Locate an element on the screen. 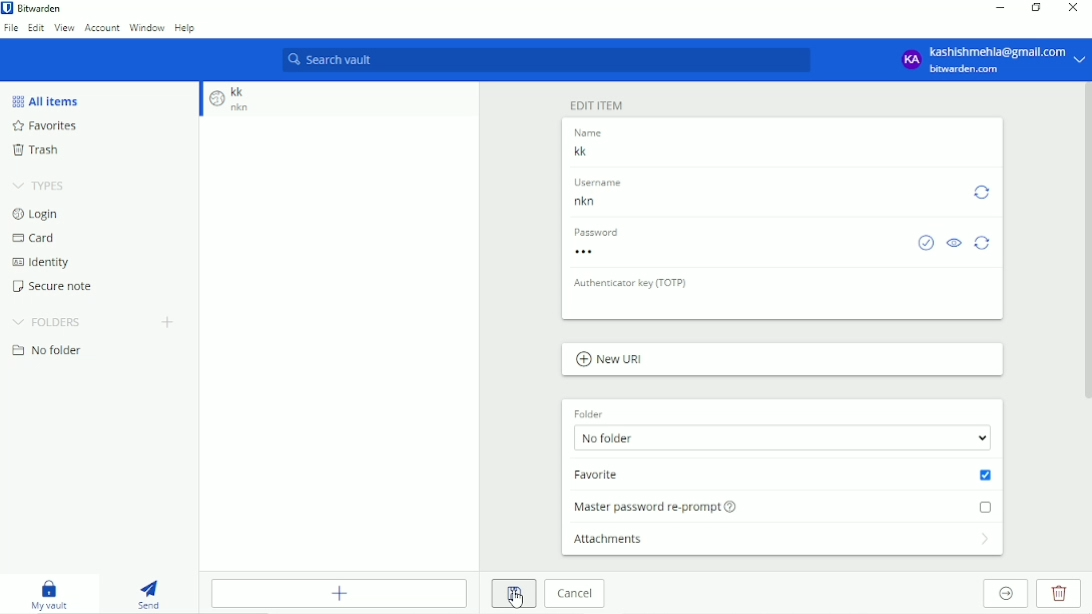 The image size is (1092, 614). Password is located at coordinates (604, 250).